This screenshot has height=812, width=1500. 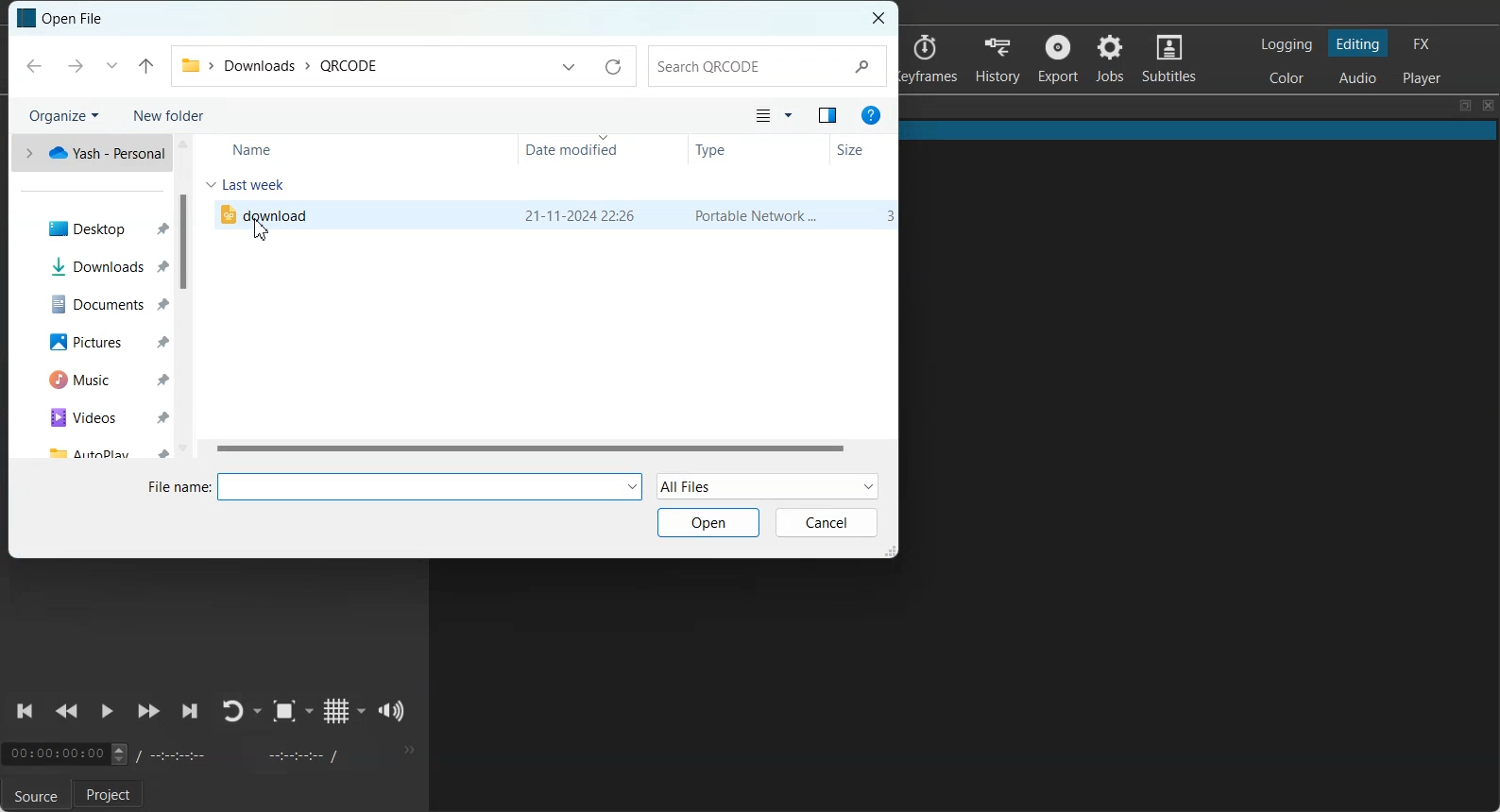 What do you see at coordinates (827, 116) in the screenshot?
I see `Show the preview pane` at bounding box center [827, 116].